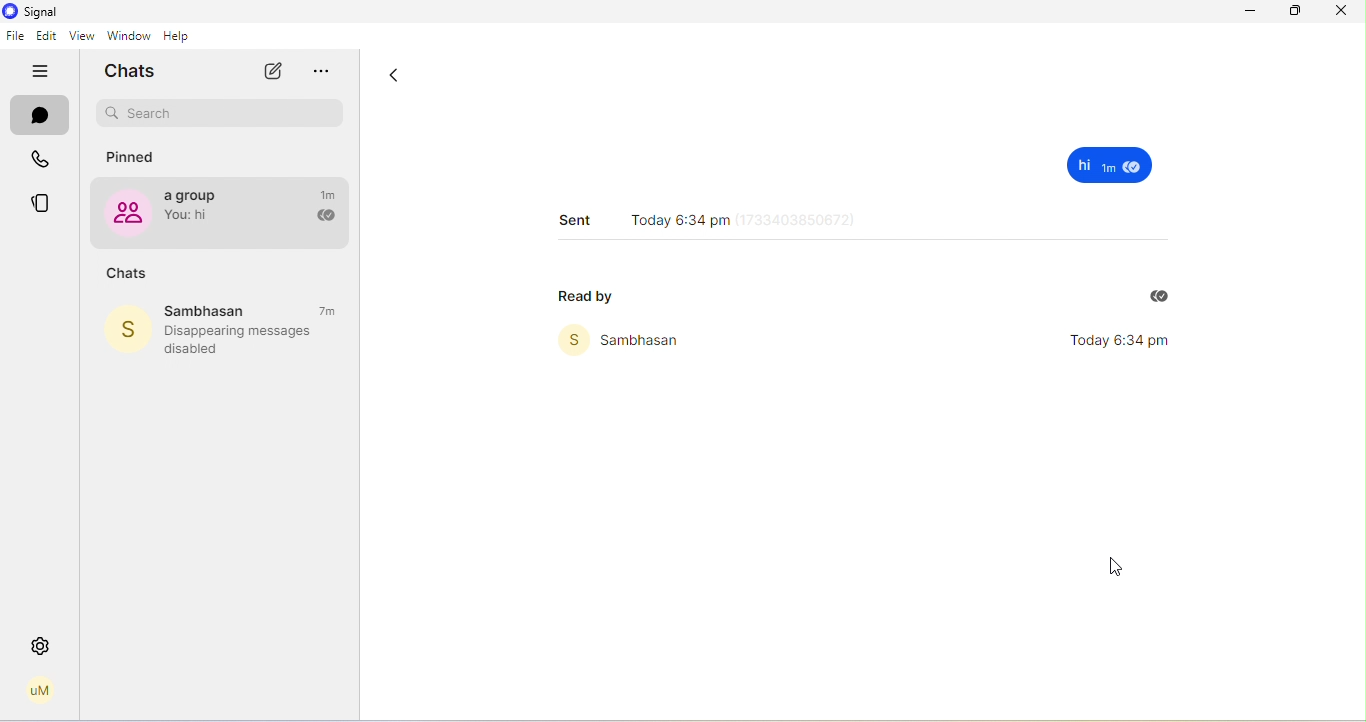 The image size is (1366, 722). I want to click on pinned, so click(134, 158).